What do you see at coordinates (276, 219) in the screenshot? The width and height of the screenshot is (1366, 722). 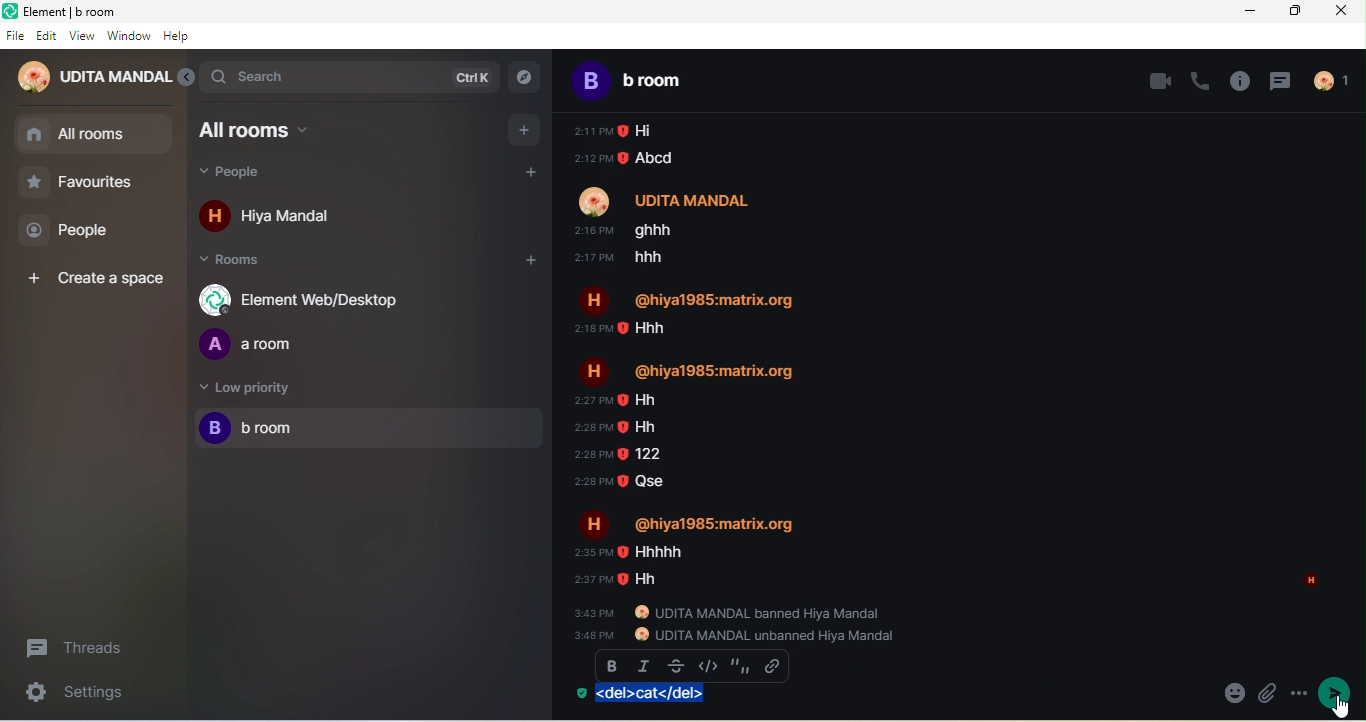 I see `hiya mandal` at bounding box center [276, 219].